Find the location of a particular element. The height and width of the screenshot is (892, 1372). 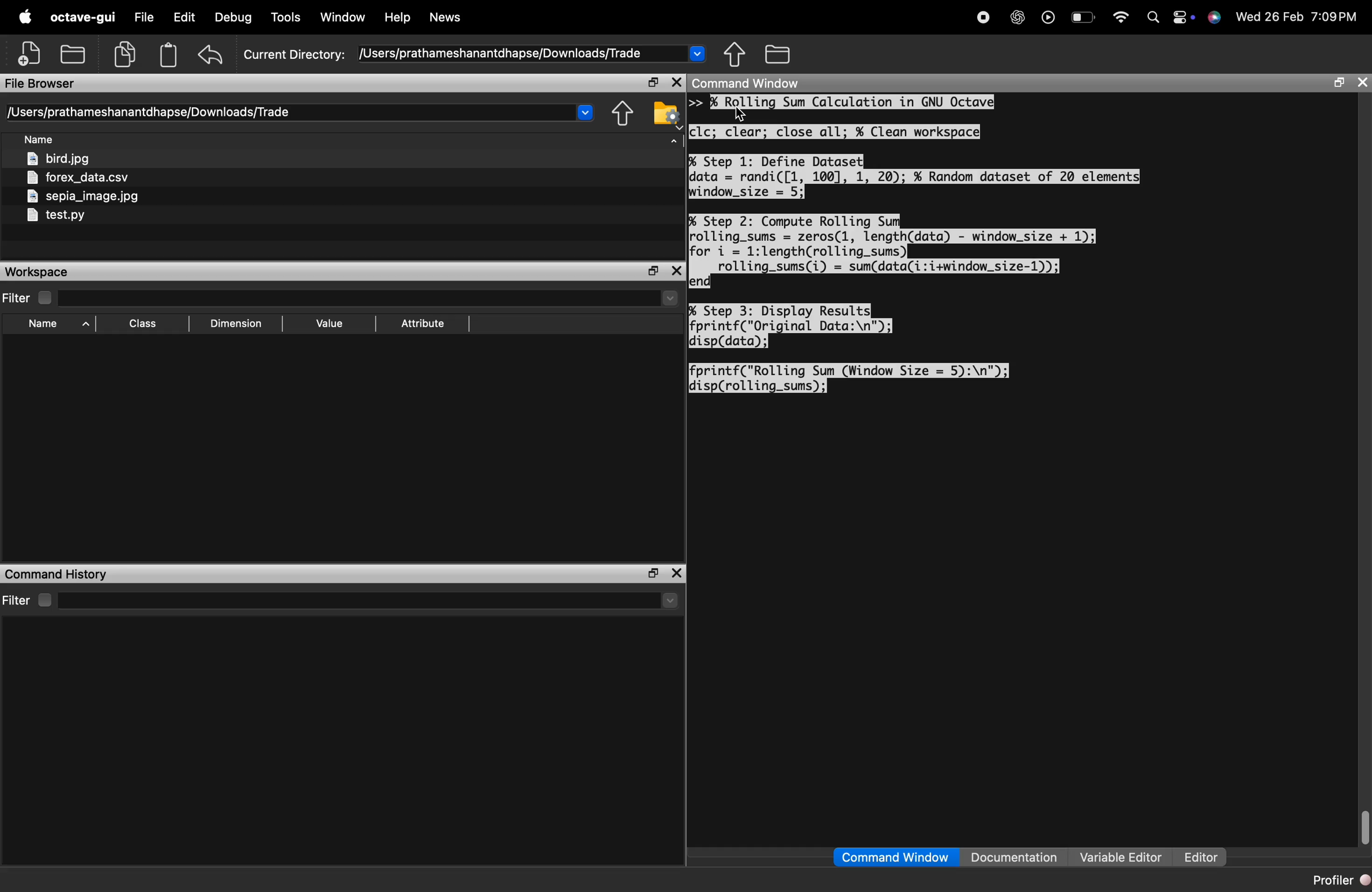

close is located at coordinates (677, 270).